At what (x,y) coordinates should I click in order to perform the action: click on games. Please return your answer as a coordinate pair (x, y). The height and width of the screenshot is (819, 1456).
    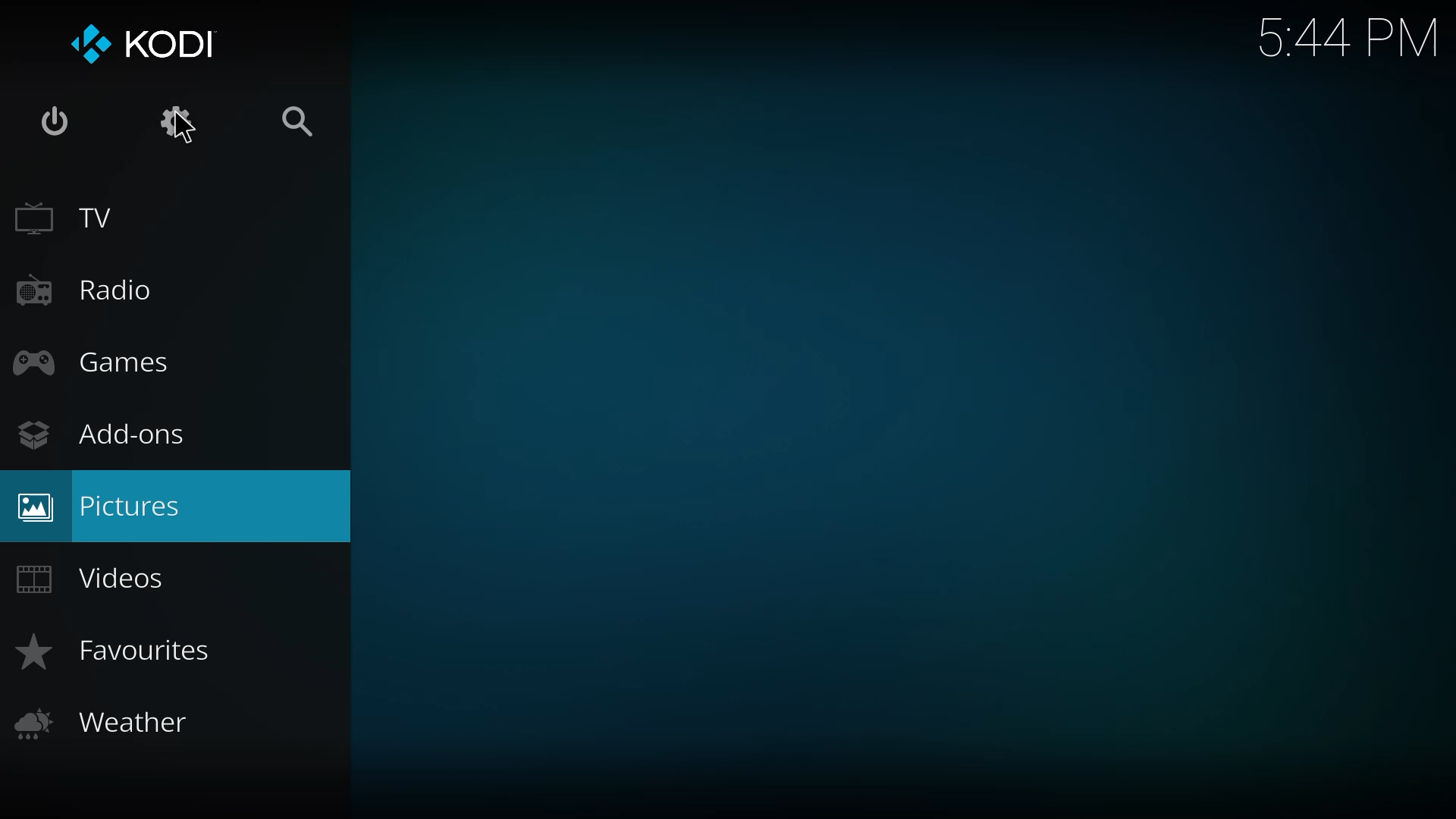
    Looking at the image, I should click on (101, 361).